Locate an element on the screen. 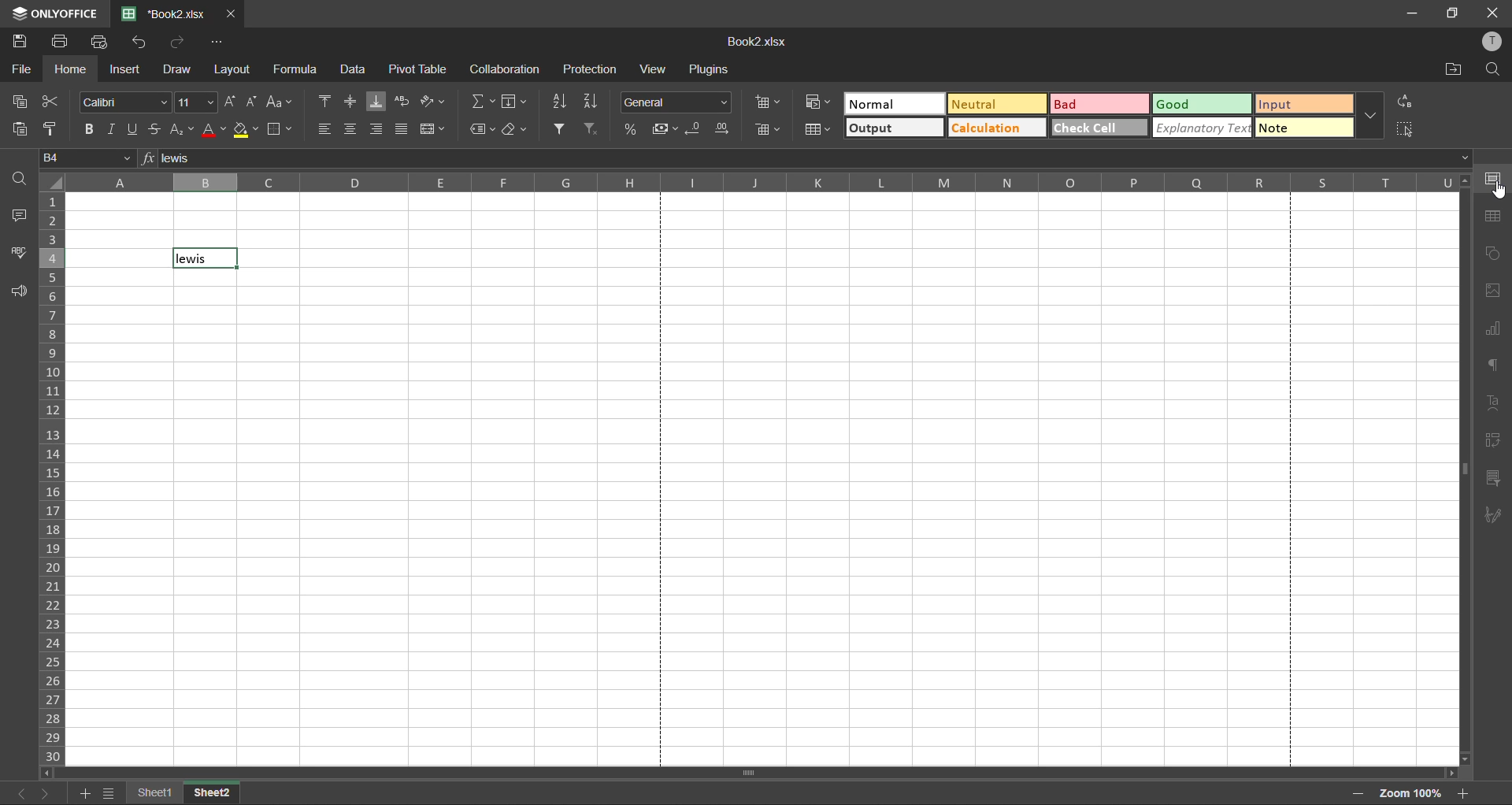 This screenshot has width=1512, height=805. italic is located at coordinates (111, 131).